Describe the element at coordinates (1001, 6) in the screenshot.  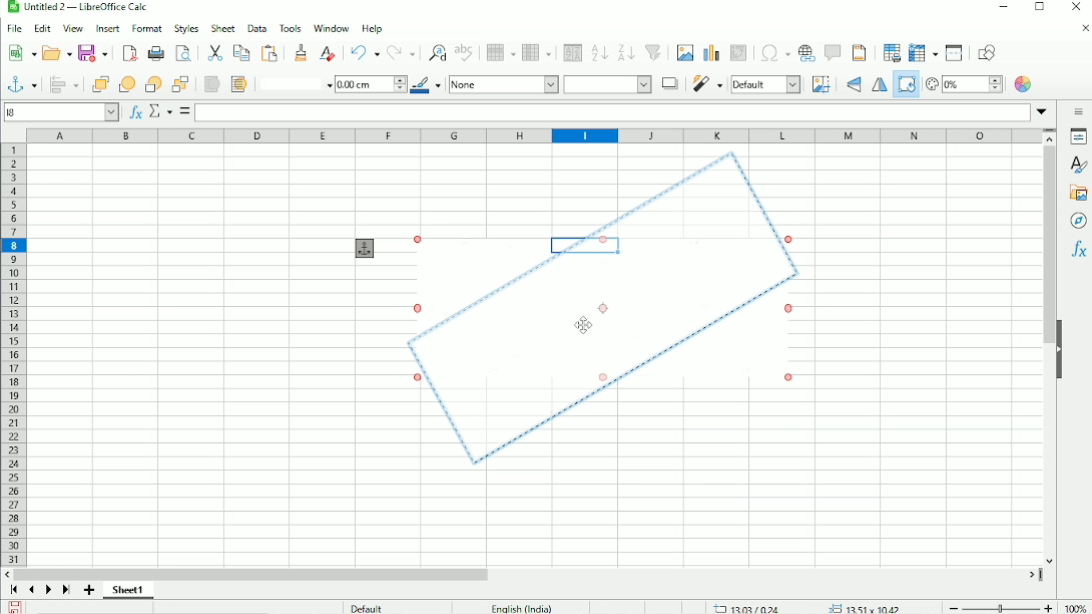
I see `Minimize` at that location.